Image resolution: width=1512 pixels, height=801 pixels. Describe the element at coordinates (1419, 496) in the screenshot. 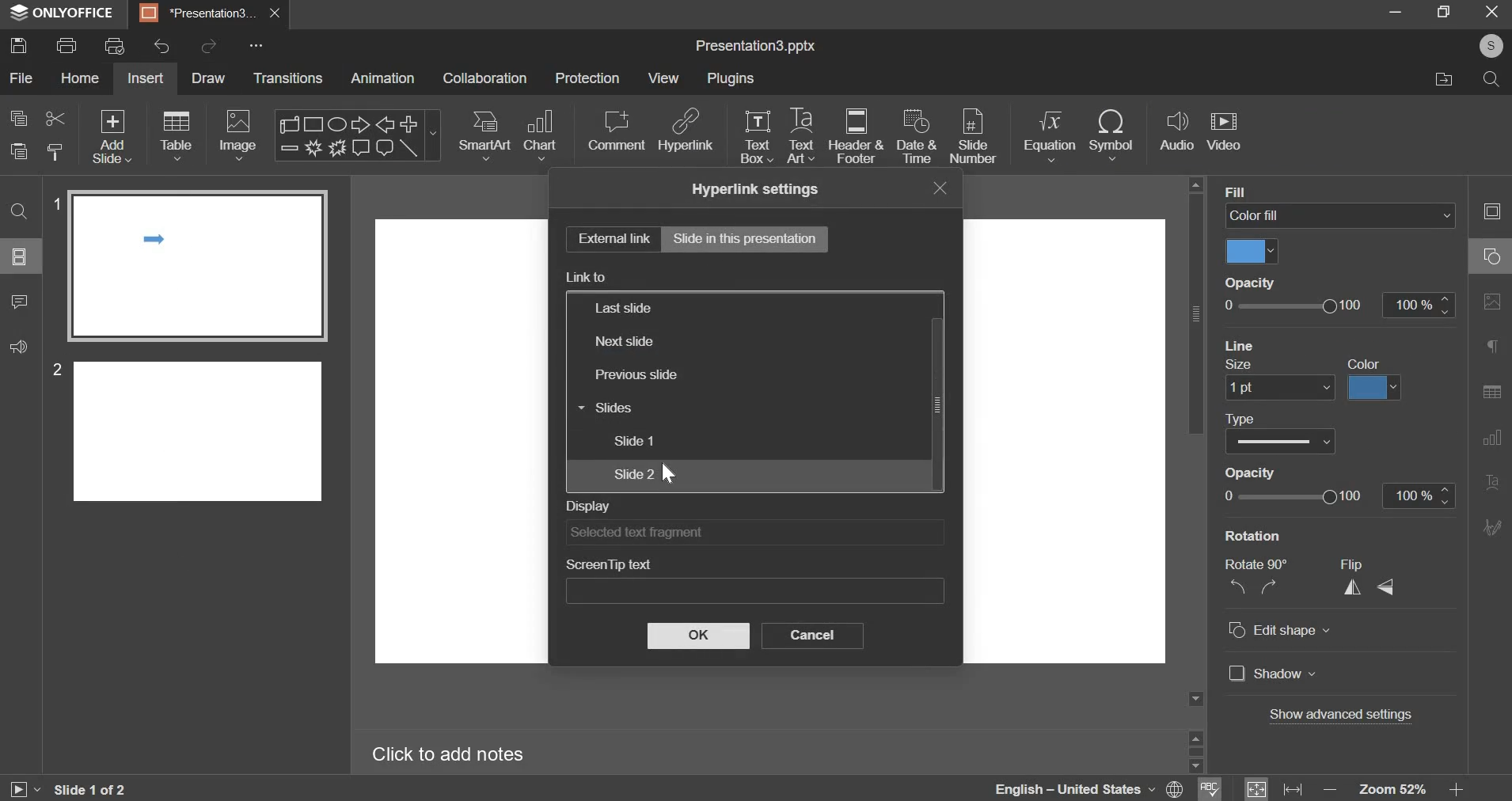

I see `increase/decrease opacity` at that location.